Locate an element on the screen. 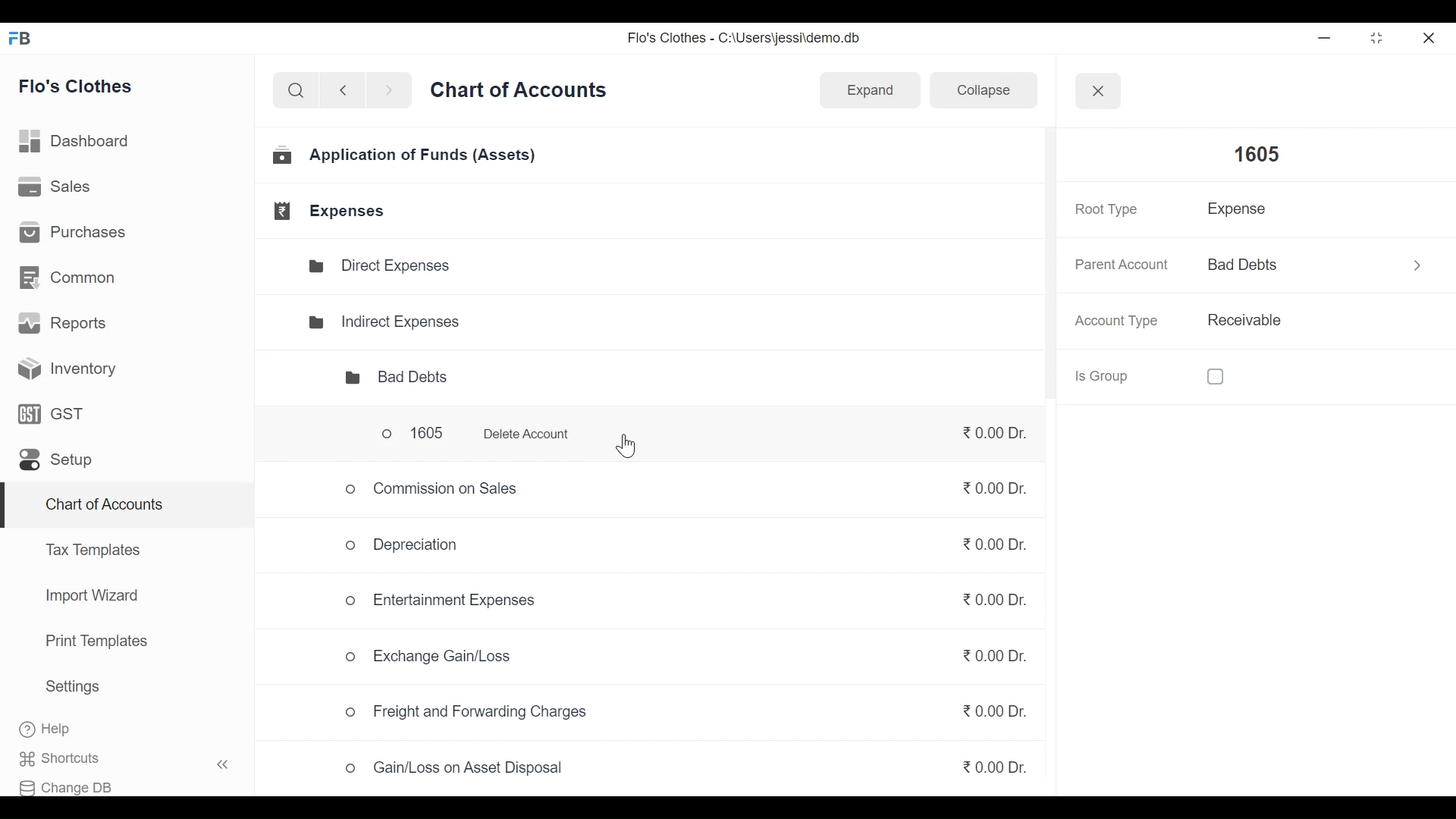  Inventory is located at coordinates (62, 368).